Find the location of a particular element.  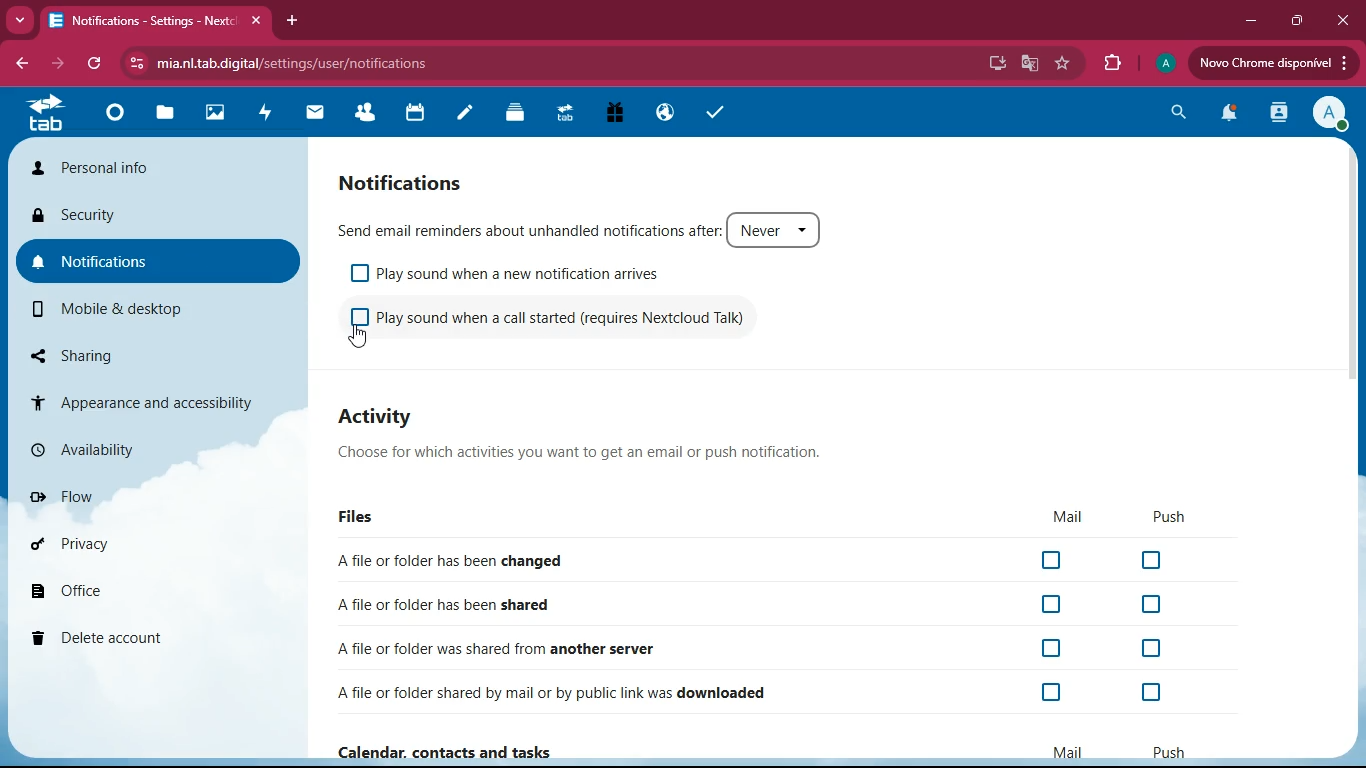

play sound is located at coordinates (575, 319).